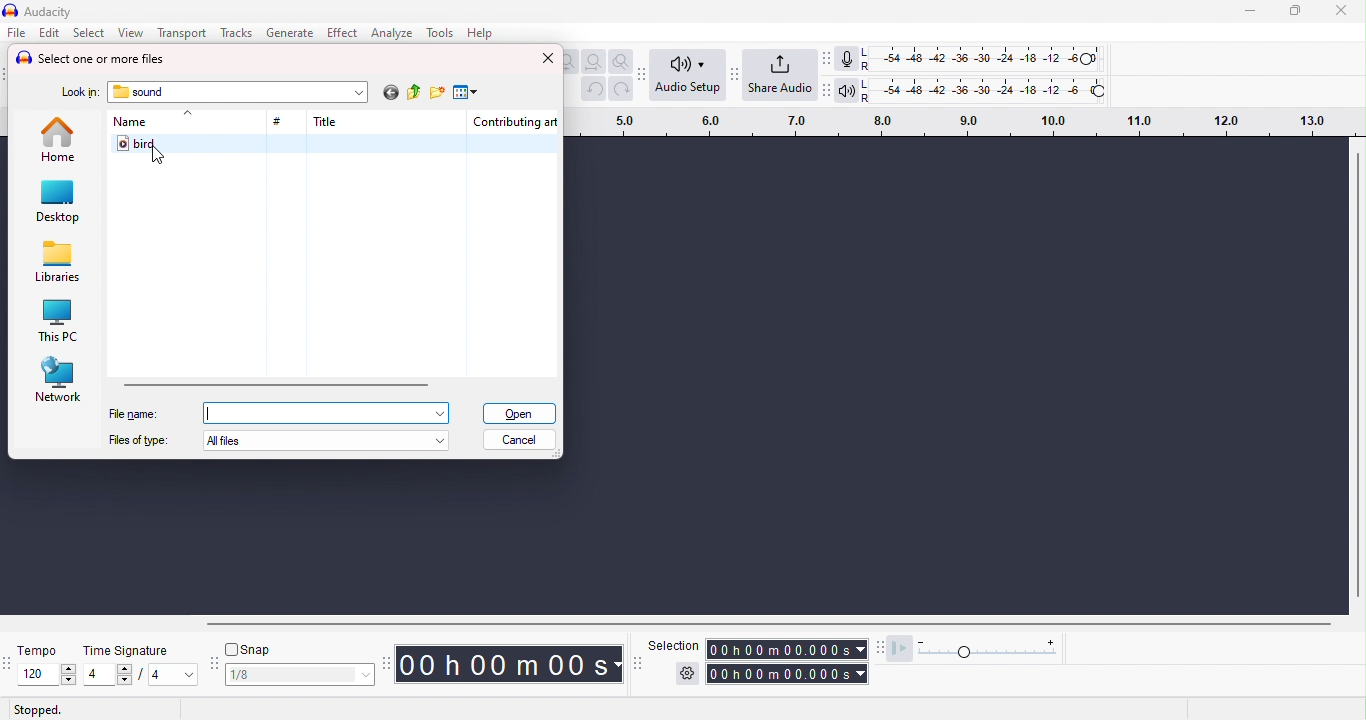  Describe the element at coordinates (61, 138) in the screenshot. I see `home` at that location.